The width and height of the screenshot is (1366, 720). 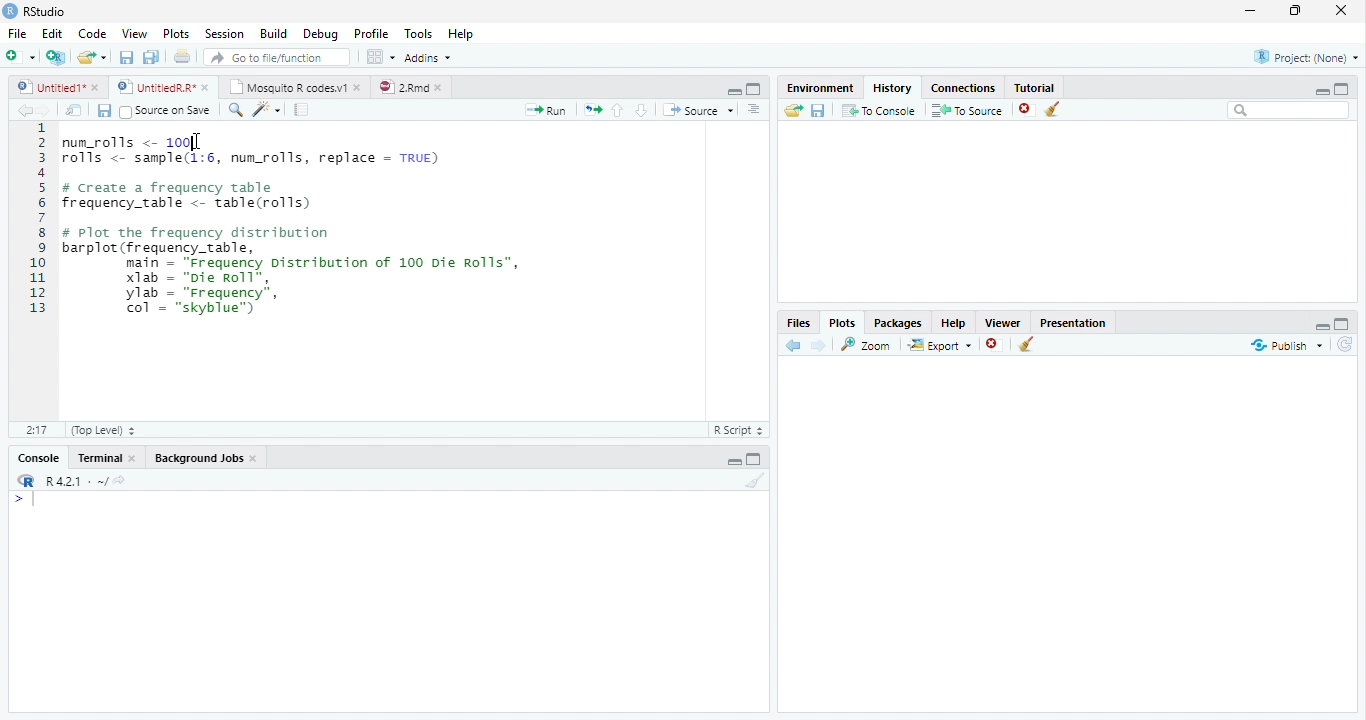 I want to click on Edit, so click(x=53, y=31).